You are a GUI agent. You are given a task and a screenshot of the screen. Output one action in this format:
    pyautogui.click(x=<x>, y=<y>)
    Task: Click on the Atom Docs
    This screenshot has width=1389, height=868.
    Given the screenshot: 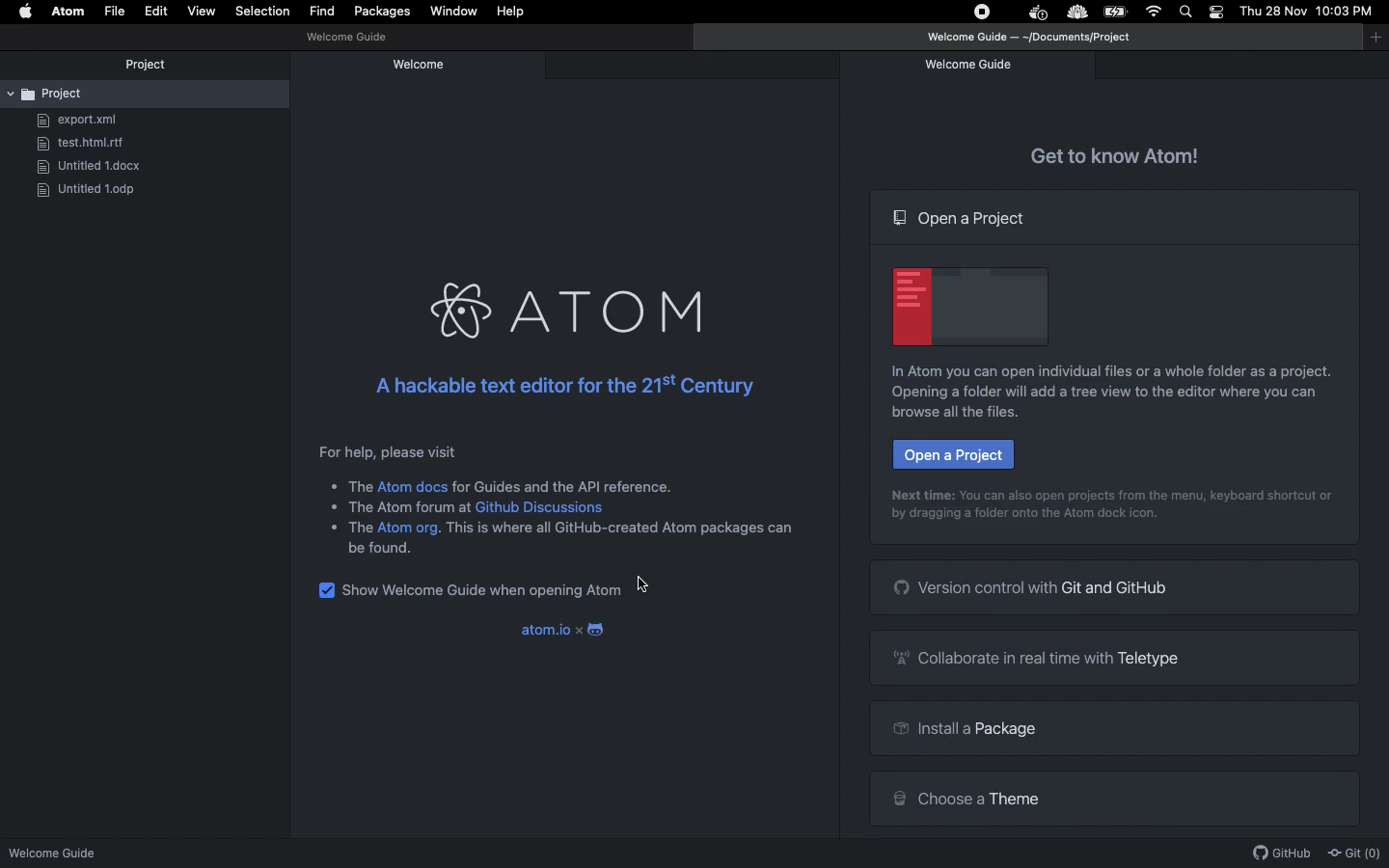 What is the action you would take?
    pyautogui.click(x=413, y=482)
    